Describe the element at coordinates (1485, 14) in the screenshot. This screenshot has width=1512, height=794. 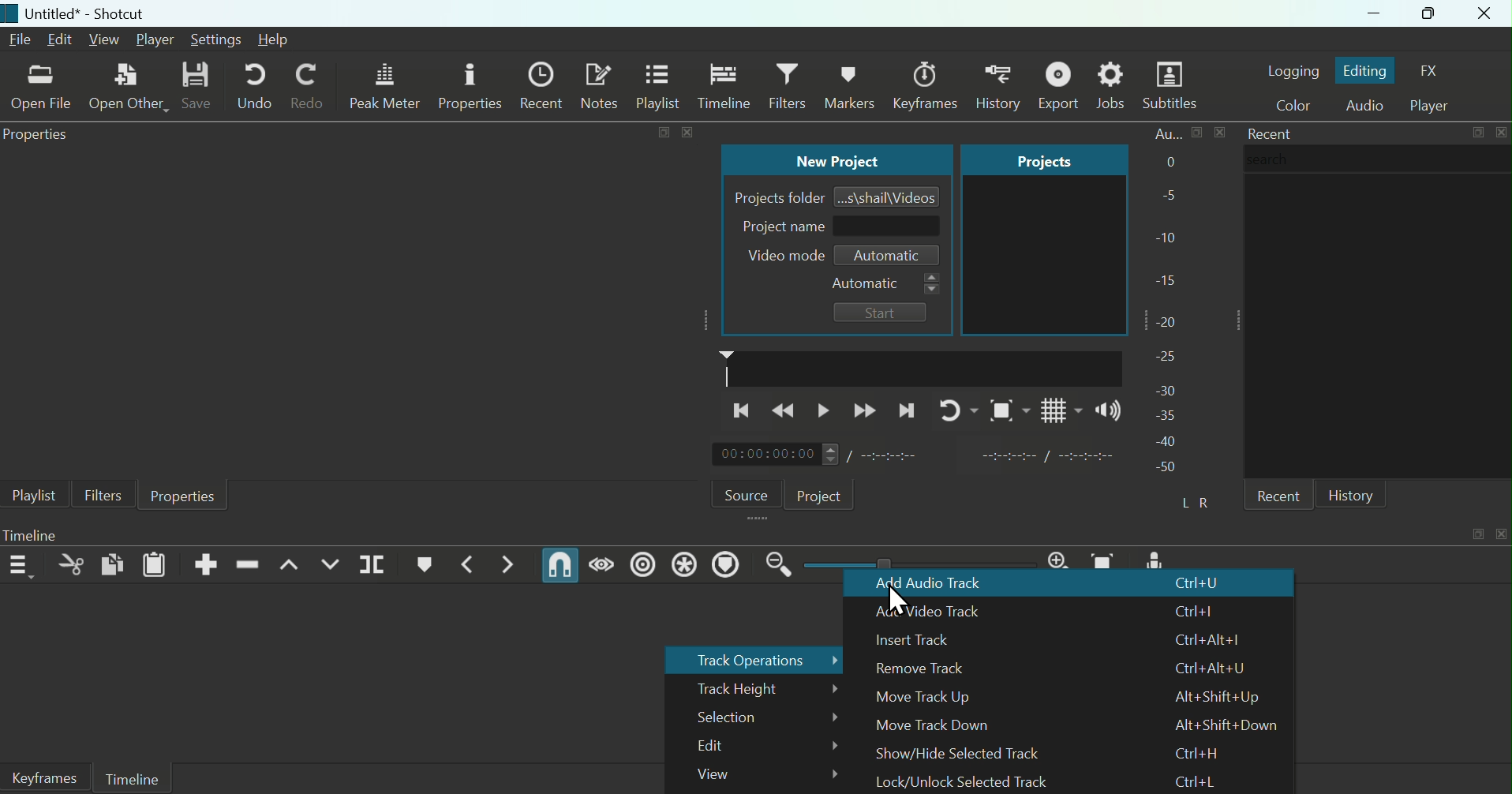
I see `Close` at that location.